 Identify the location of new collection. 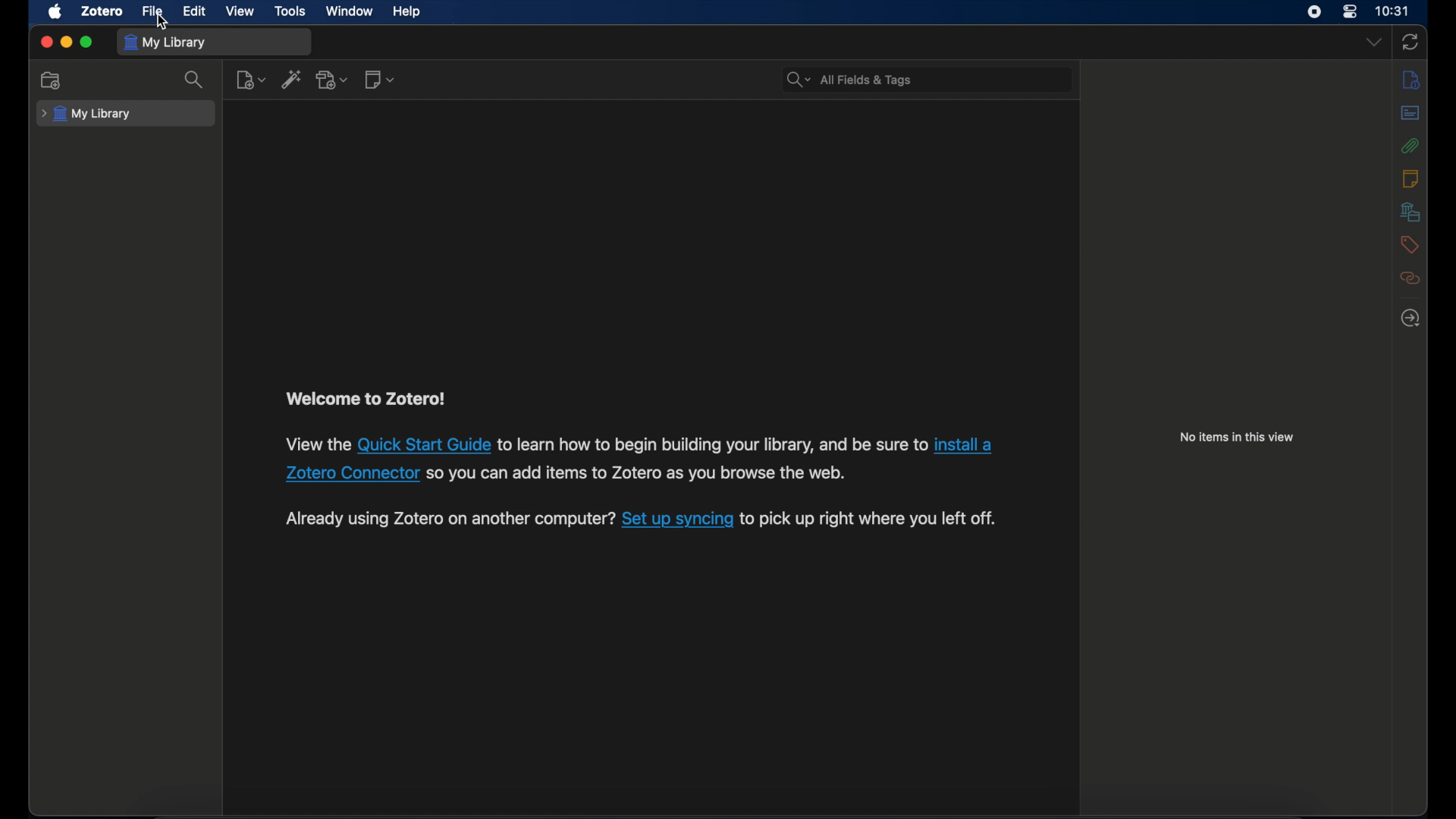
(51, 80).